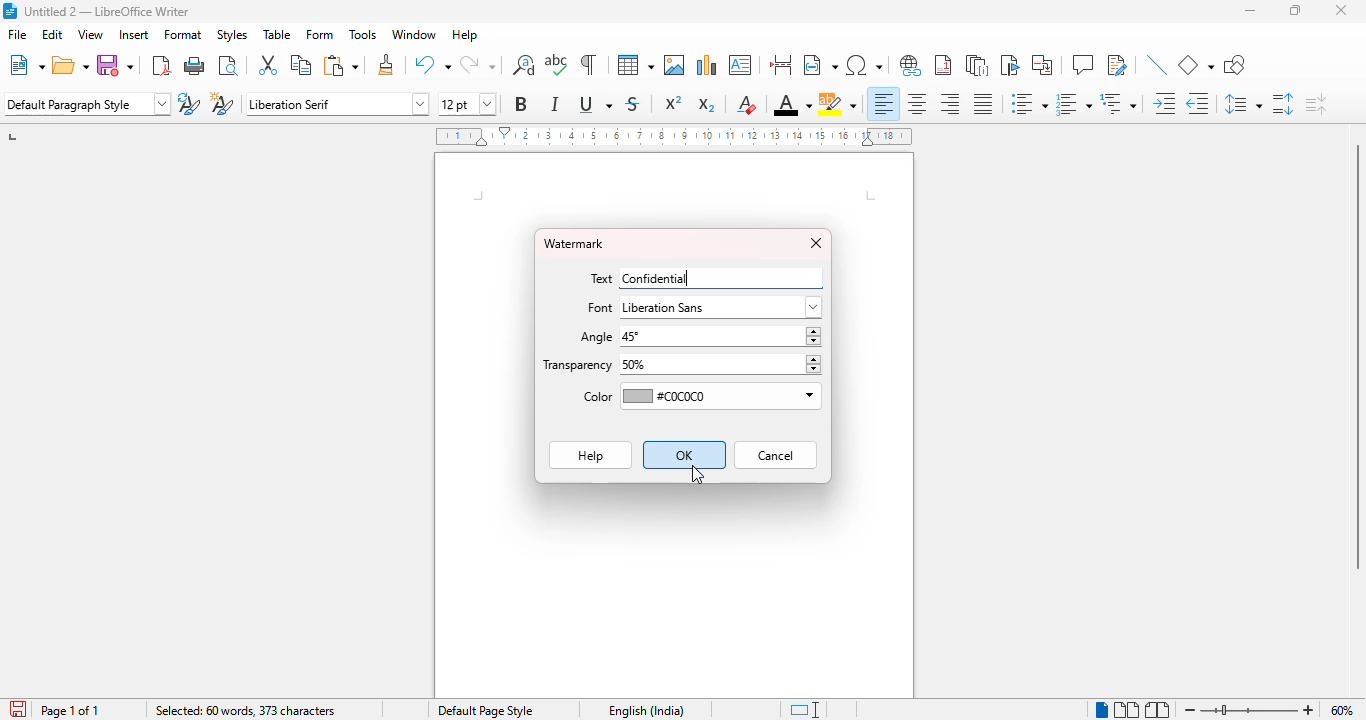 The width and height of the screenshot is (1366, 720). I want to click on font color, so click(792, 106).